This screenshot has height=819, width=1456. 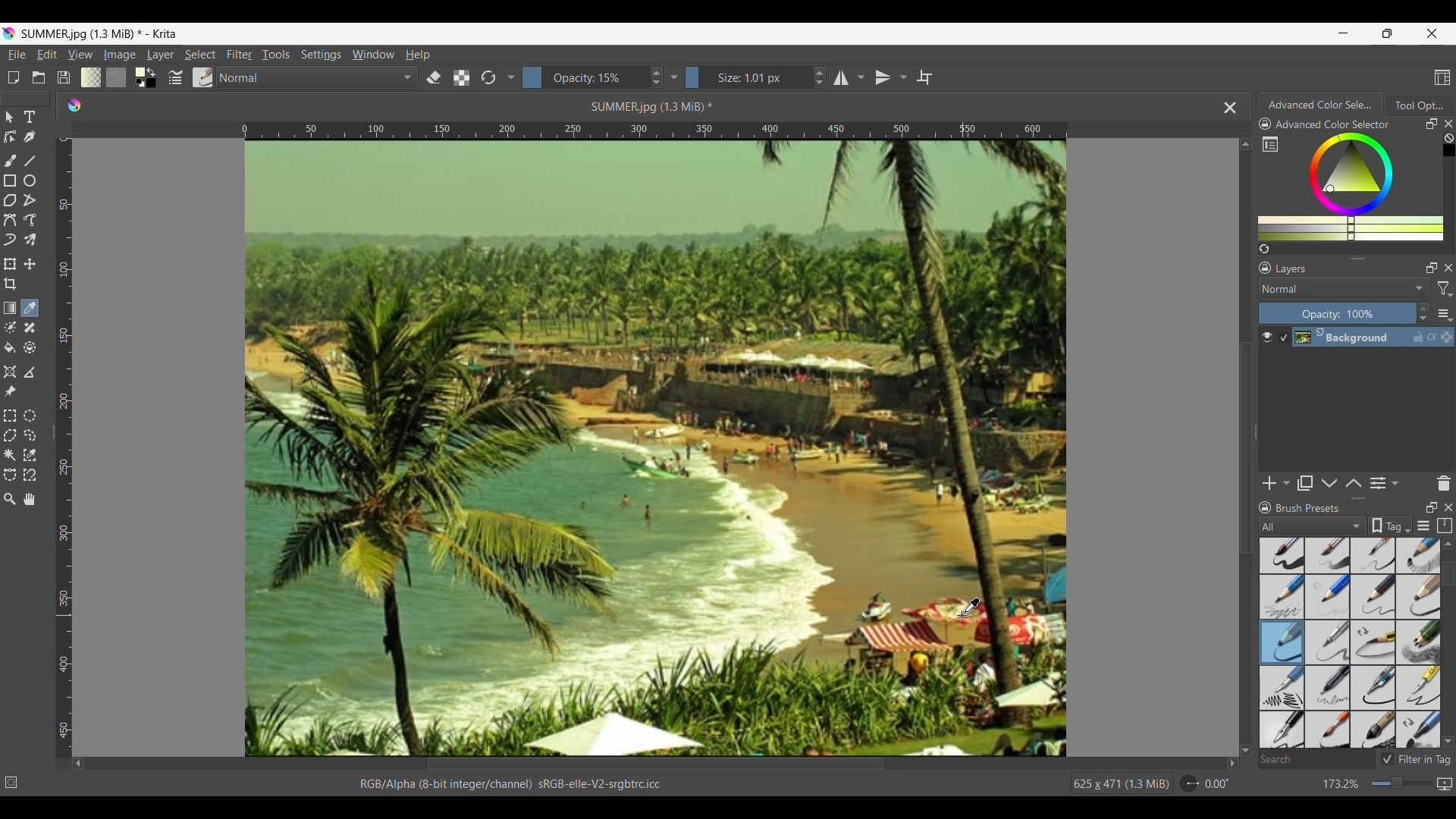 I want to click on SUMMER.jpg (1.3 MiB) * - Krita, so click(x=100, y=33).